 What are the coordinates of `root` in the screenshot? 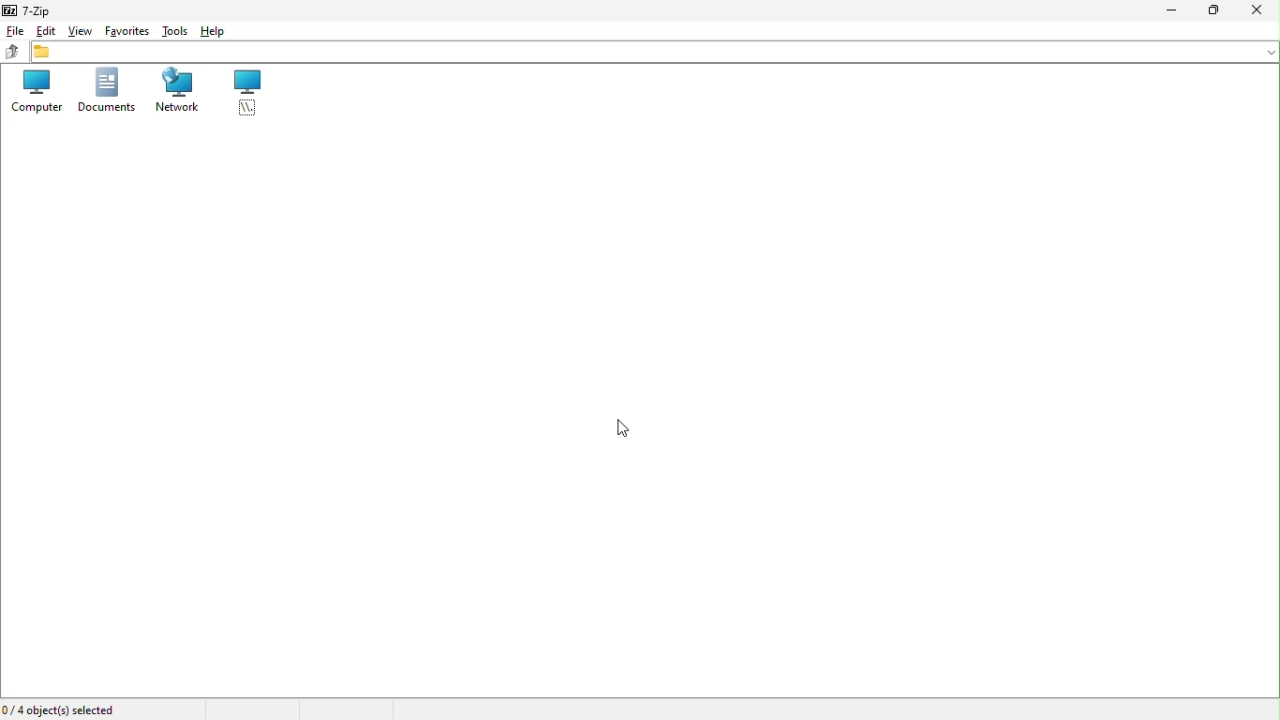 It's located at (241, 92).